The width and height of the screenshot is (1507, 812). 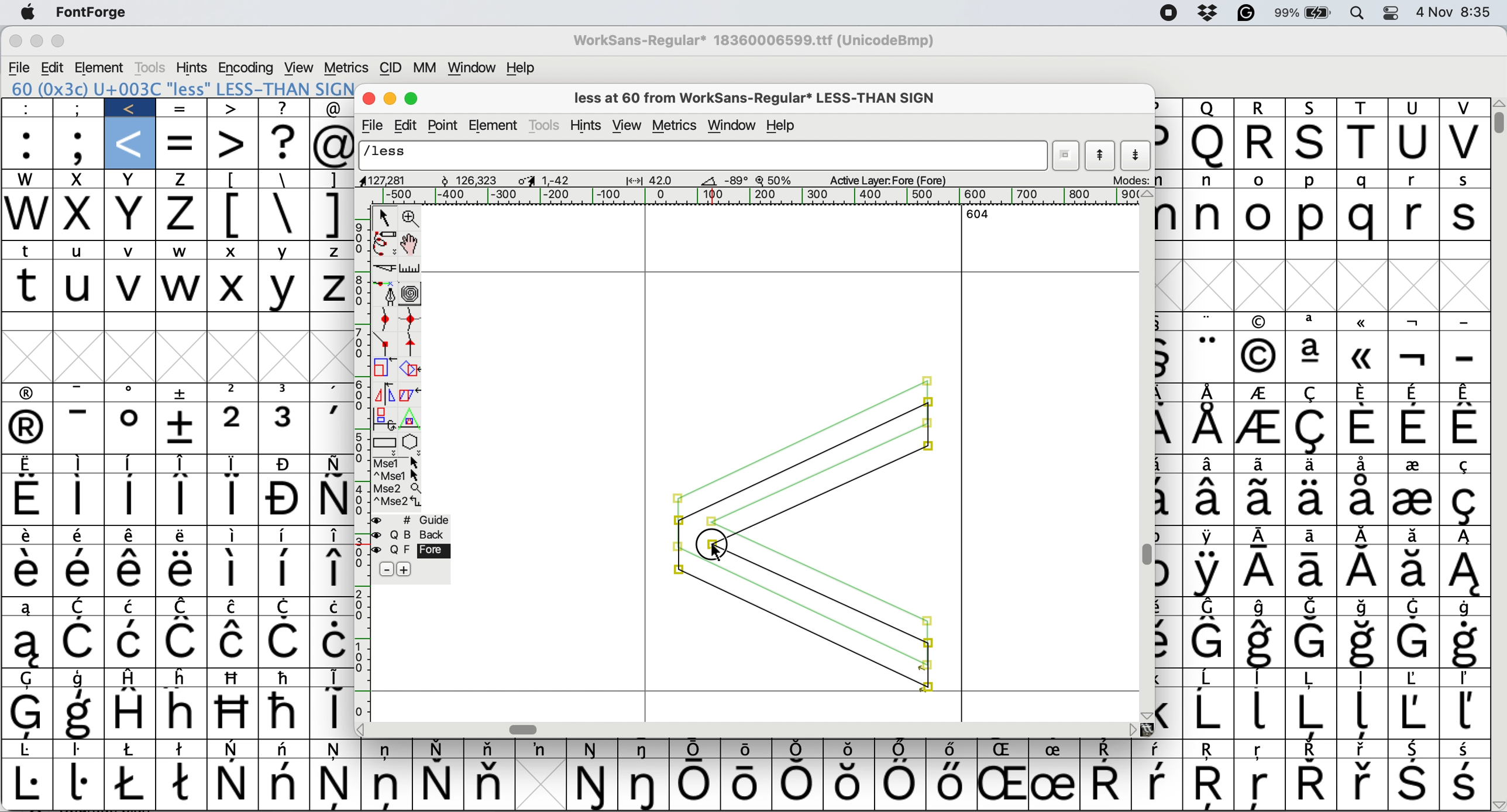 What do you see at coordinates (1208, 108) in the screenshot?
I see `q` at bounding box center [1208, 108].